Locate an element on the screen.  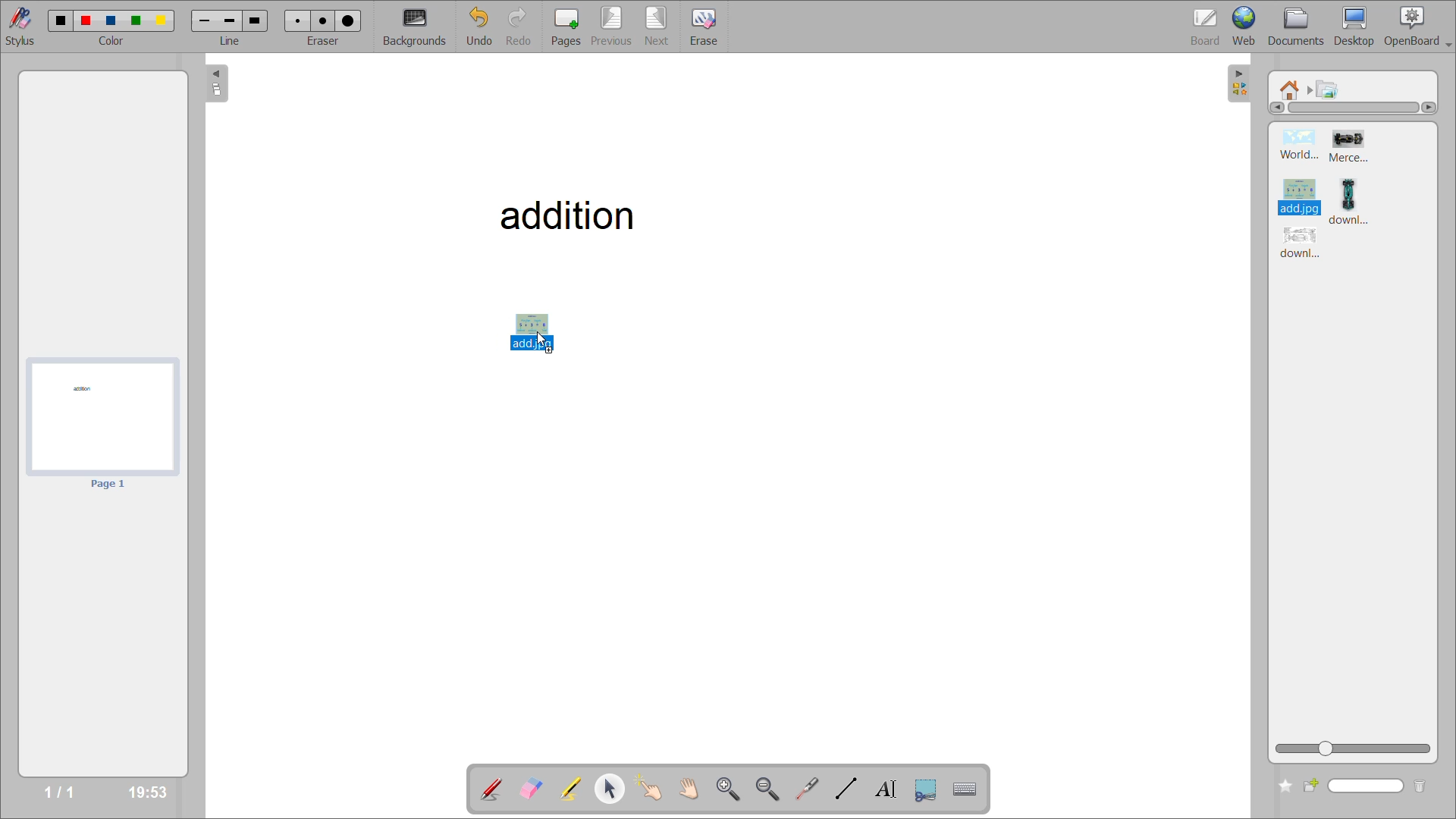
eraser 3 is located at coordinates (349, 20).